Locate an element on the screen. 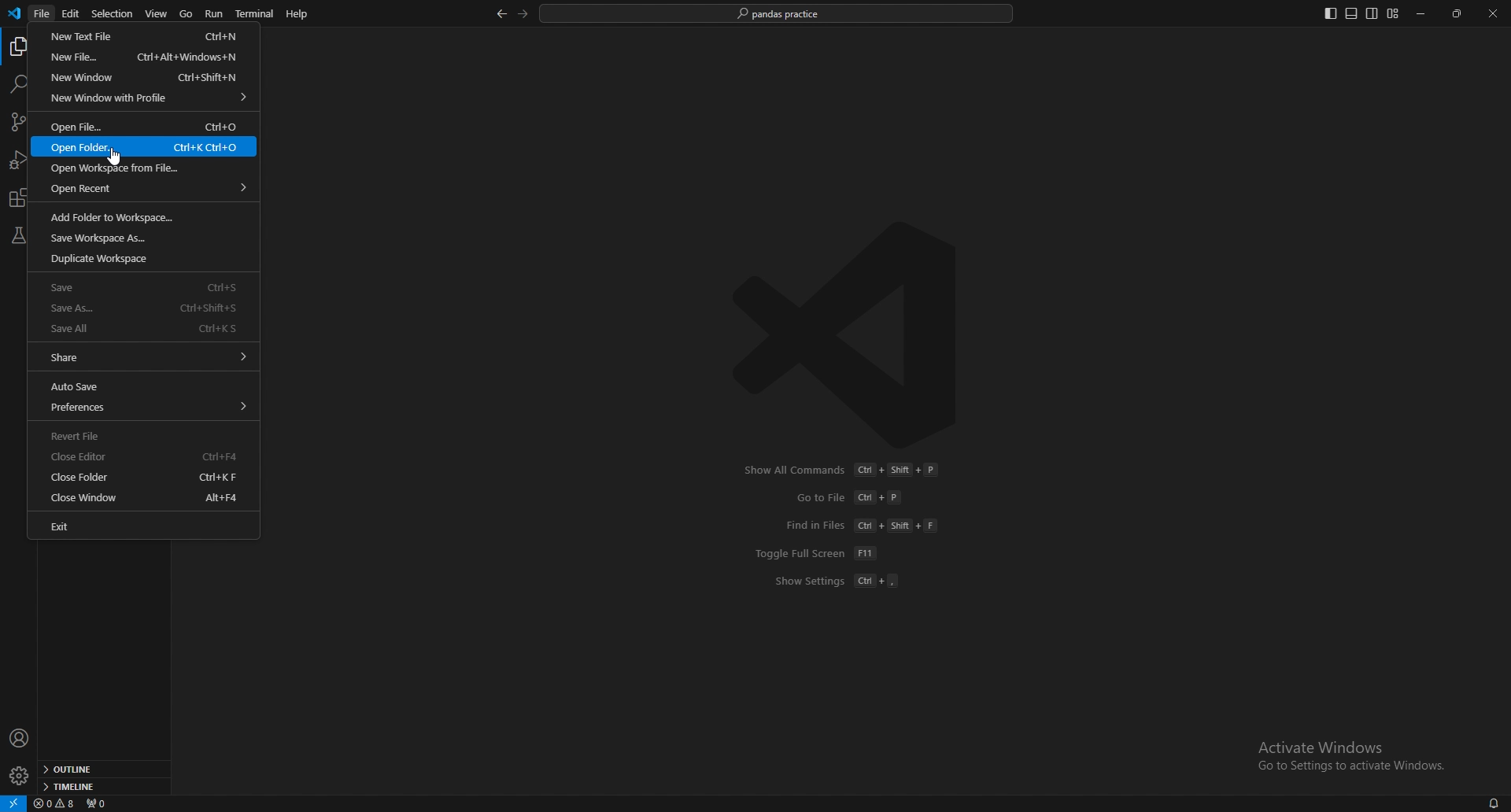 The image size is (1511, 812). timeline is located at coordinates (102, 785).